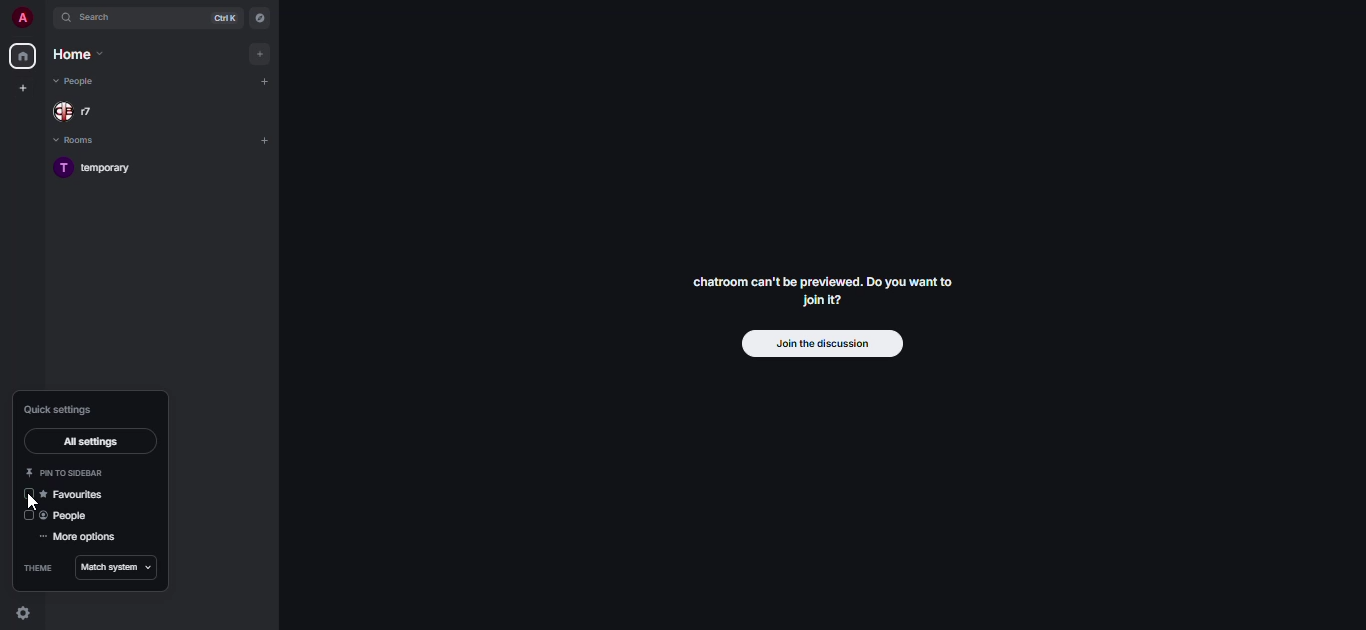 This screenshot has height=630, width=1366. Describe the element at coordinates (29, 493) in the screenshot. I see `disabled` at that location.